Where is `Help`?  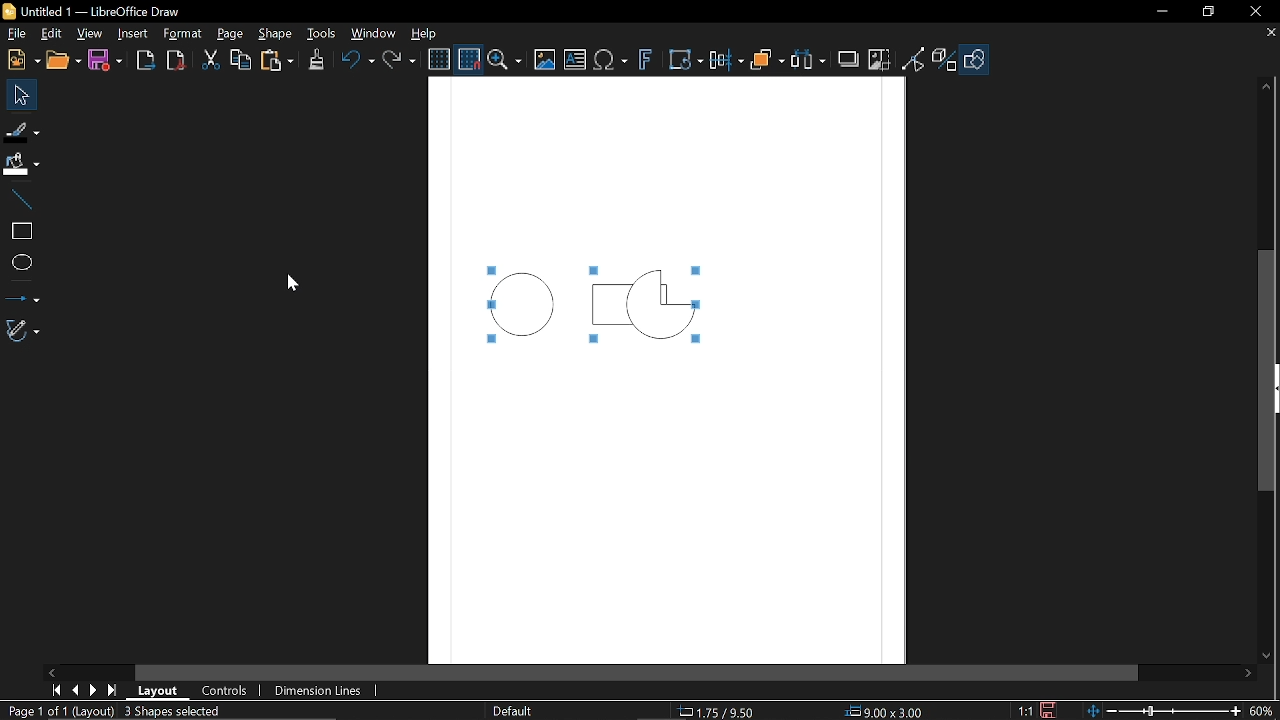
Help is located at coordinates (421, 34).